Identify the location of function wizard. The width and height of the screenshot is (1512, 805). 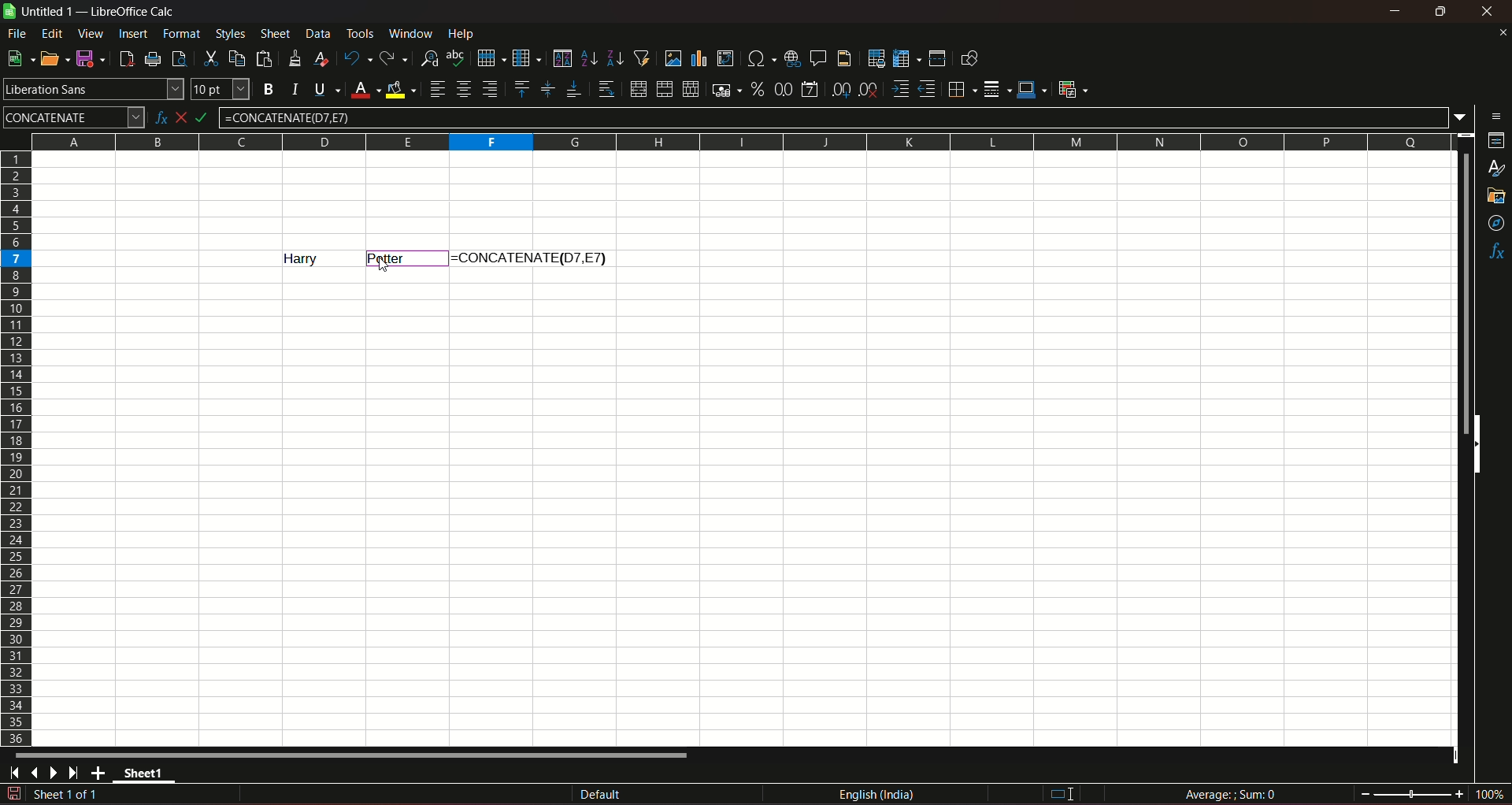
(159, 118).